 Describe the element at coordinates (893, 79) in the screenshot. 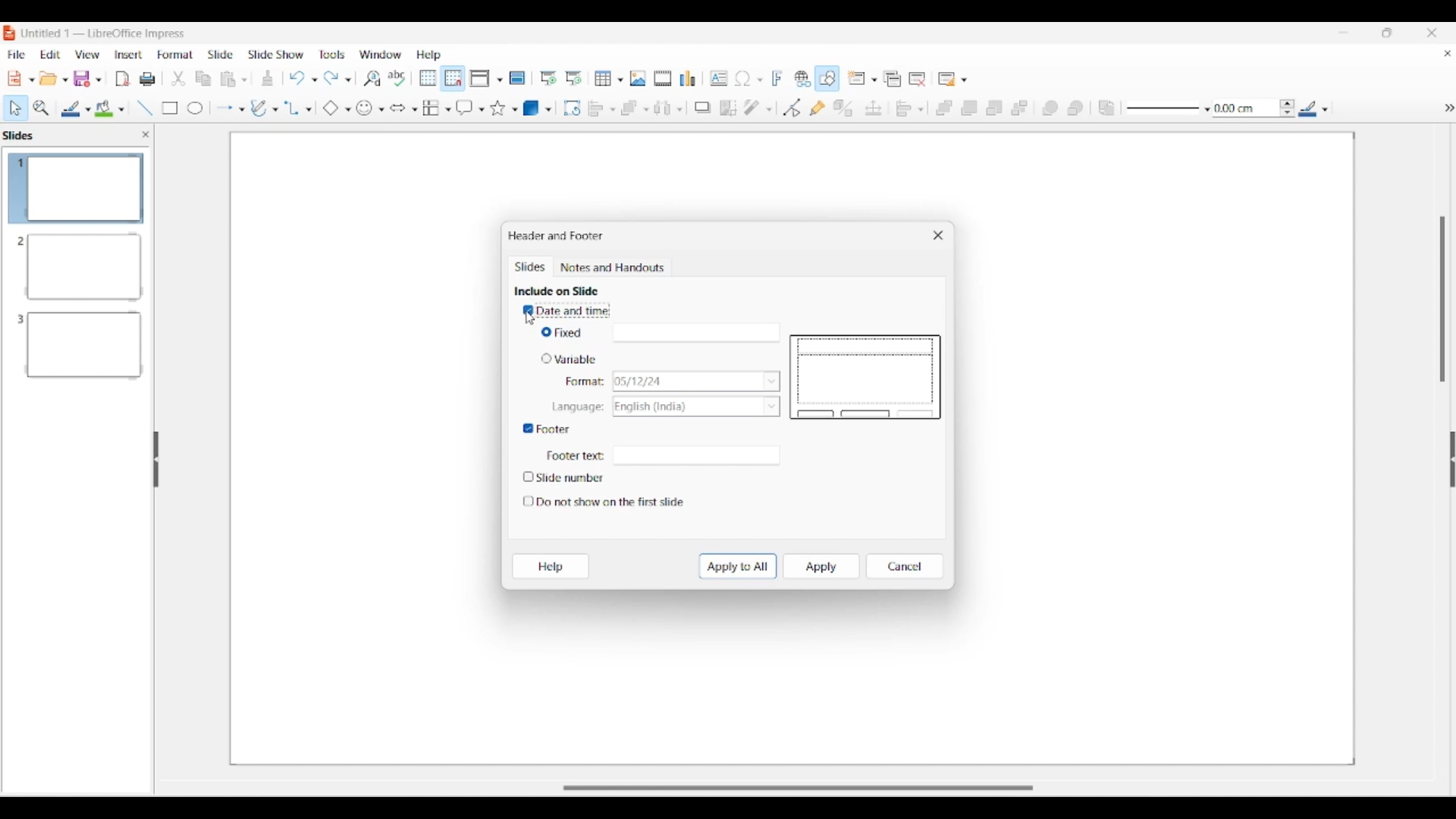

I see `Duplicate slide` at that location.